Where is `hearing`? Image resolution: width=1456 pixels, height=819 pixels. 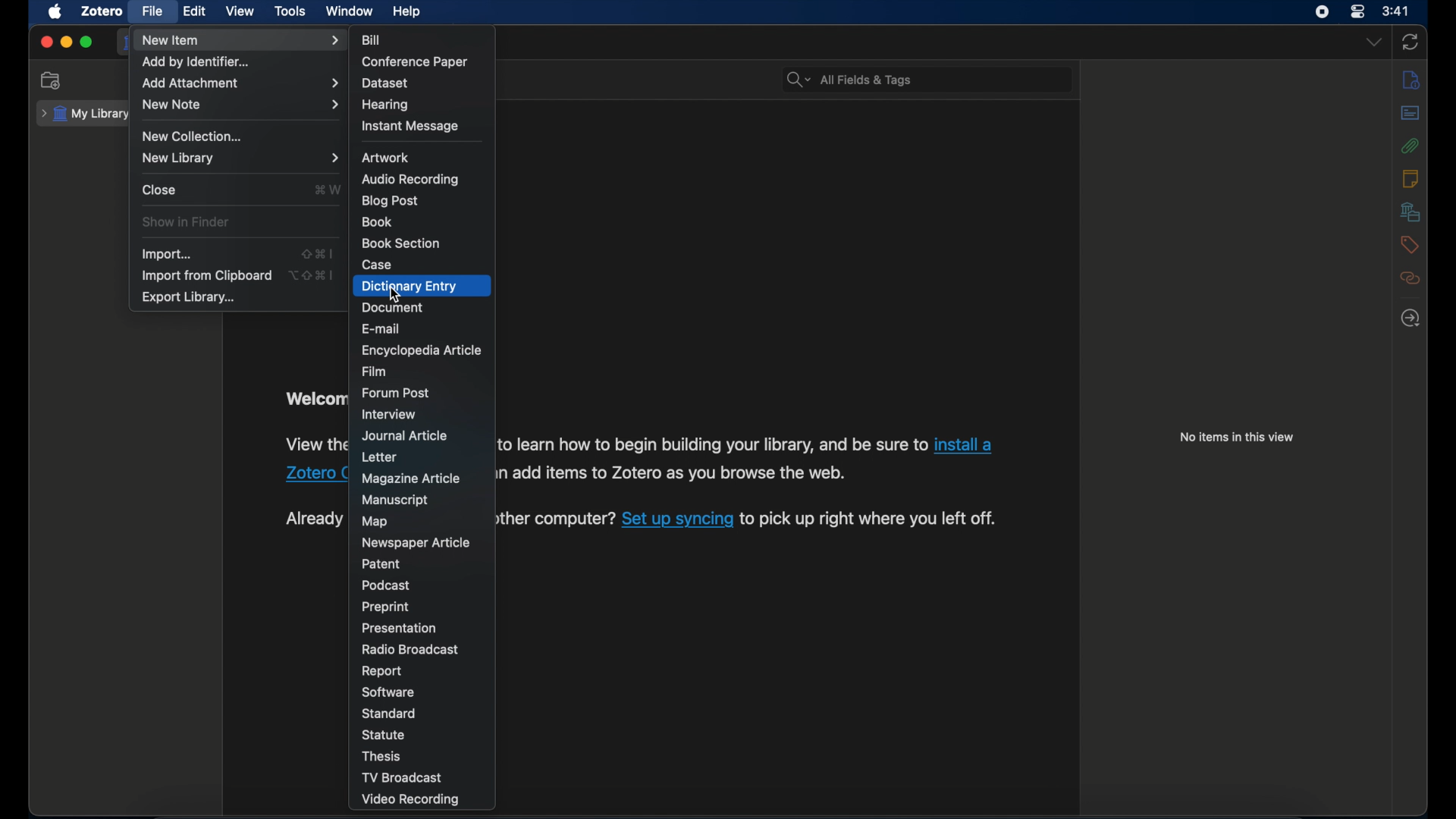
hearing is located at coordinates (386, 105).